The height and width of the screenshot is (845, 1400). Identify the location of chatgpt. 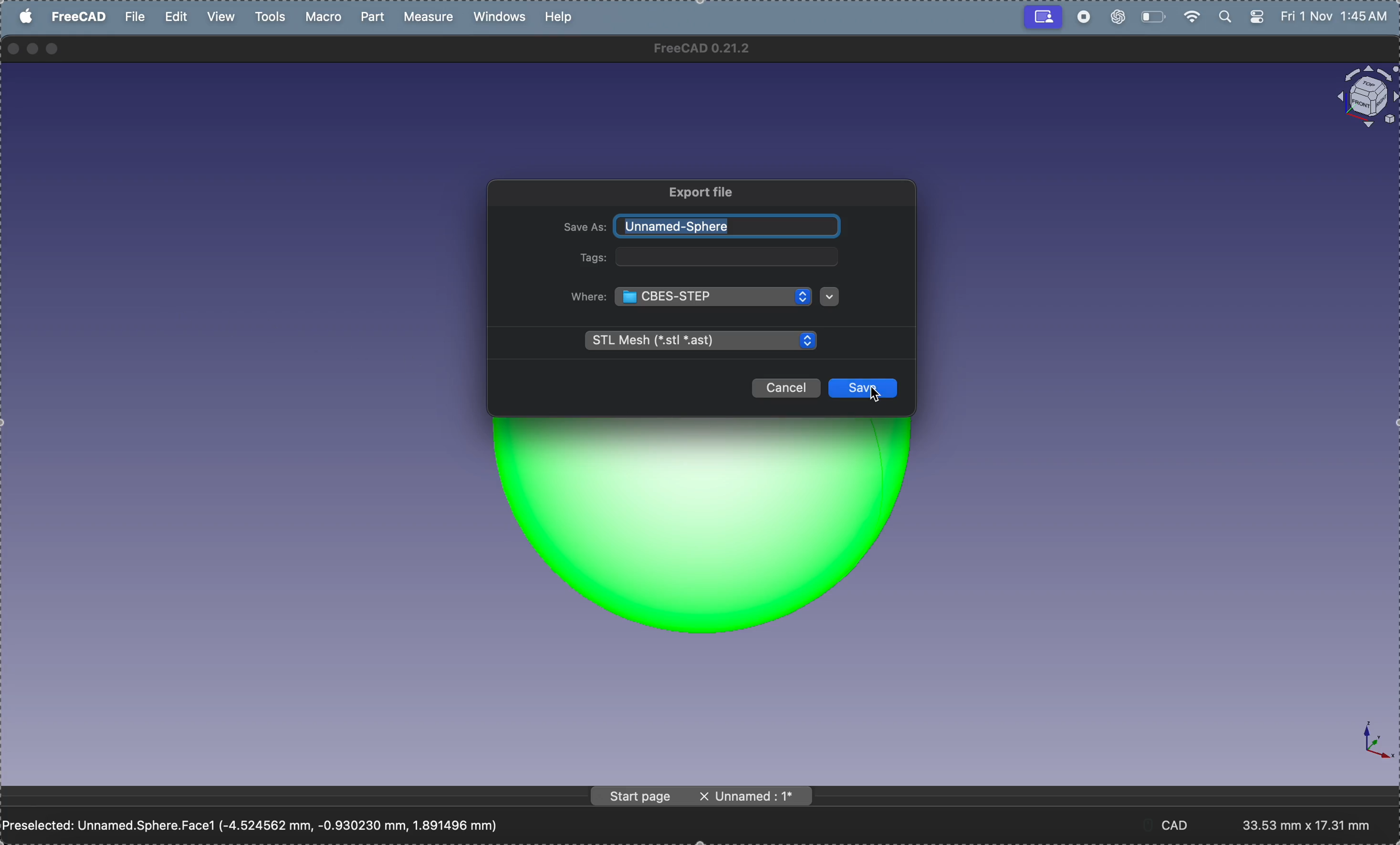
(1116, 18).